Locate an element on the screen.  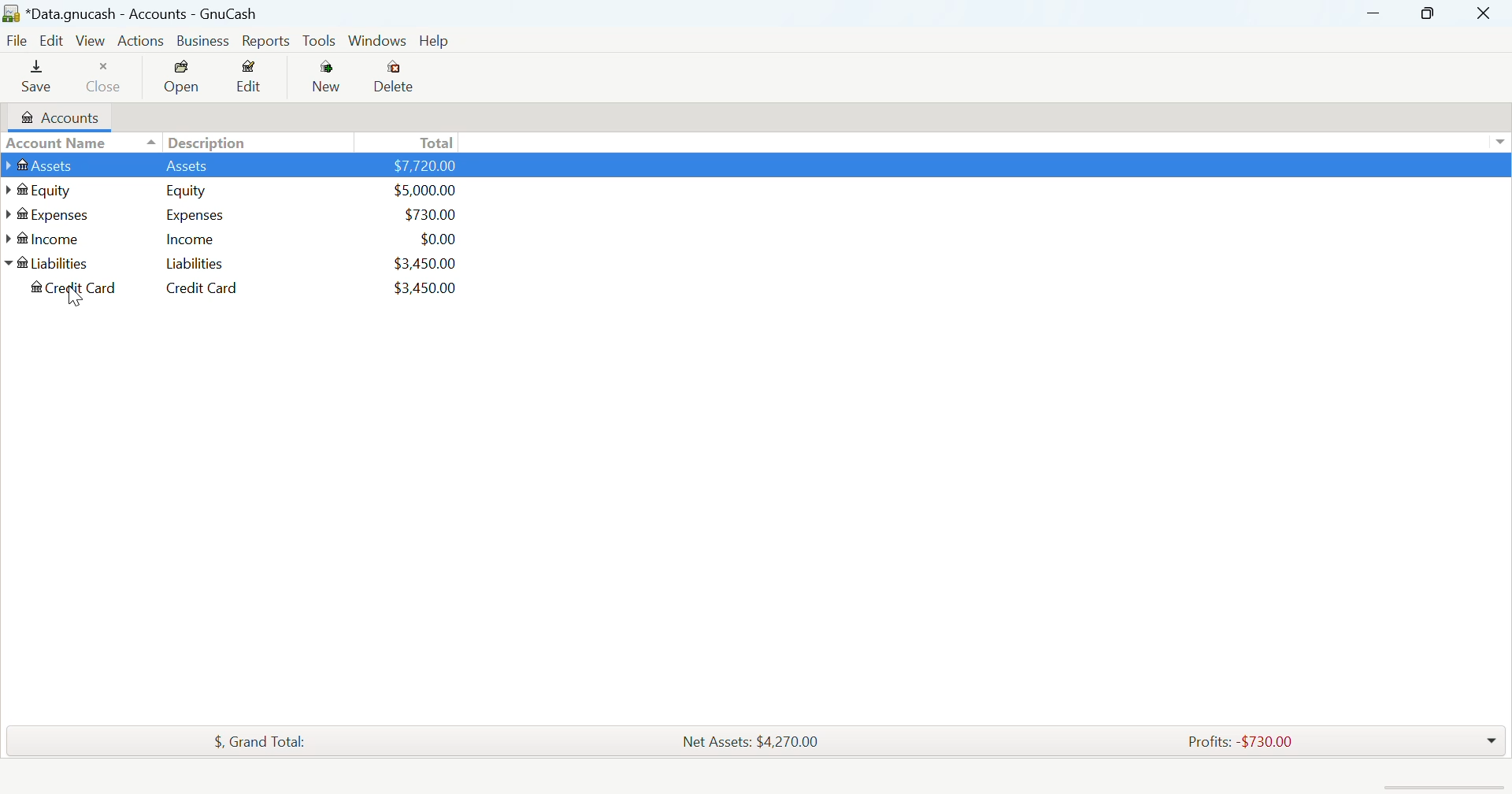
Actions is located at coordinates (141, 42).